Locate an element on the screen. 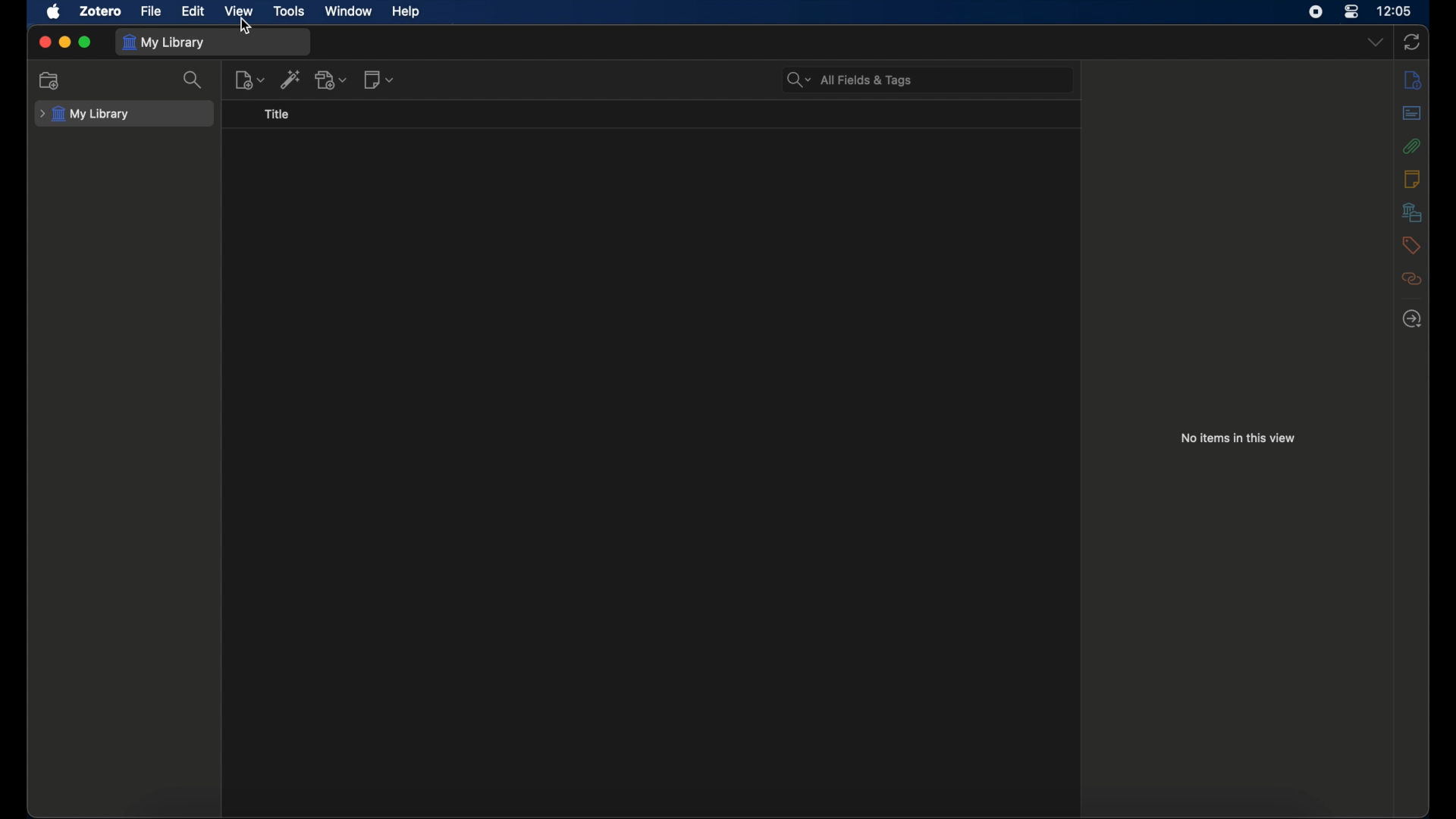  screen recorder is located at coordinates (1314, 12).